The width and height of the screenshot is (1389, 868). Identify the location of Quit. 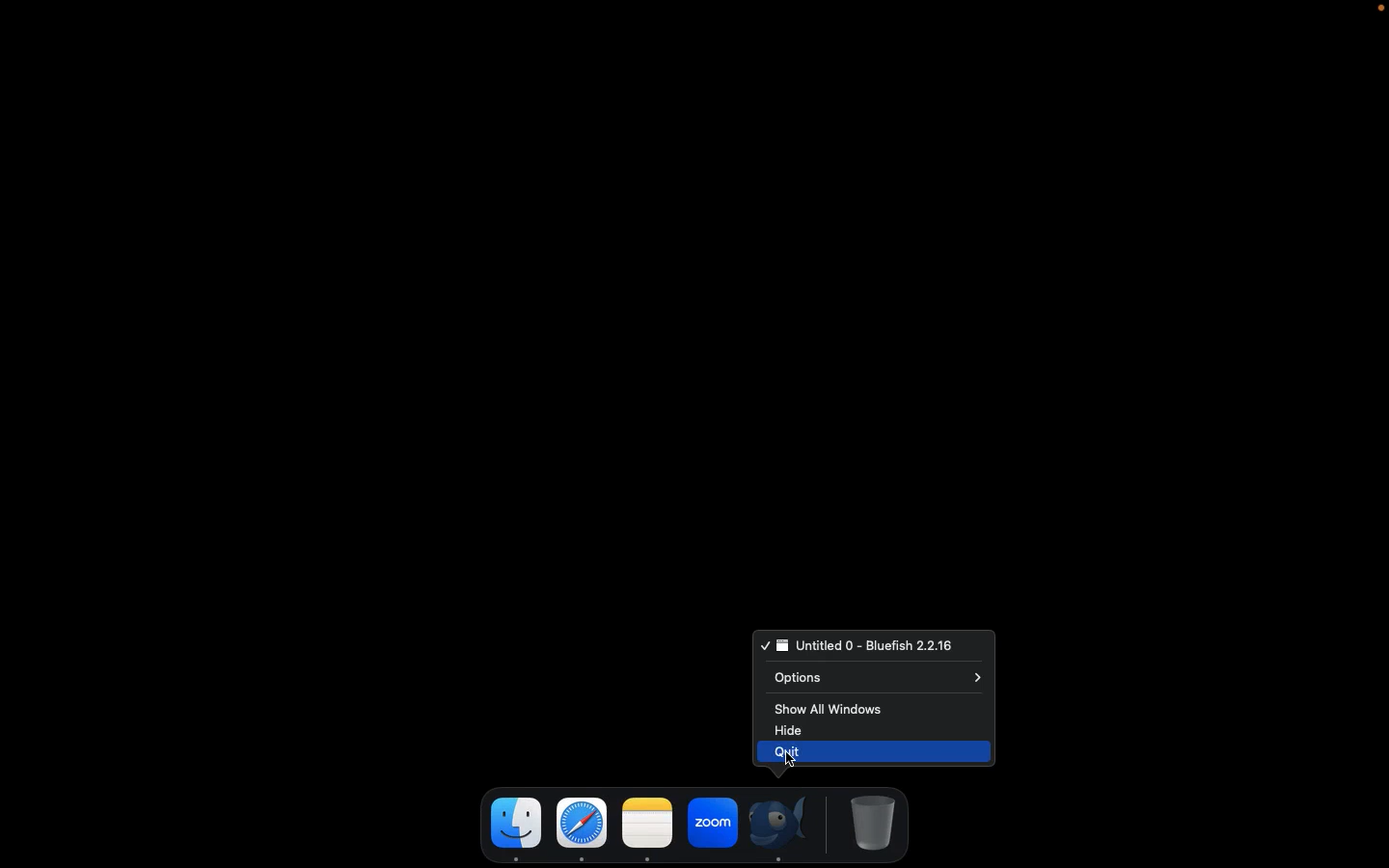
(856, 752).